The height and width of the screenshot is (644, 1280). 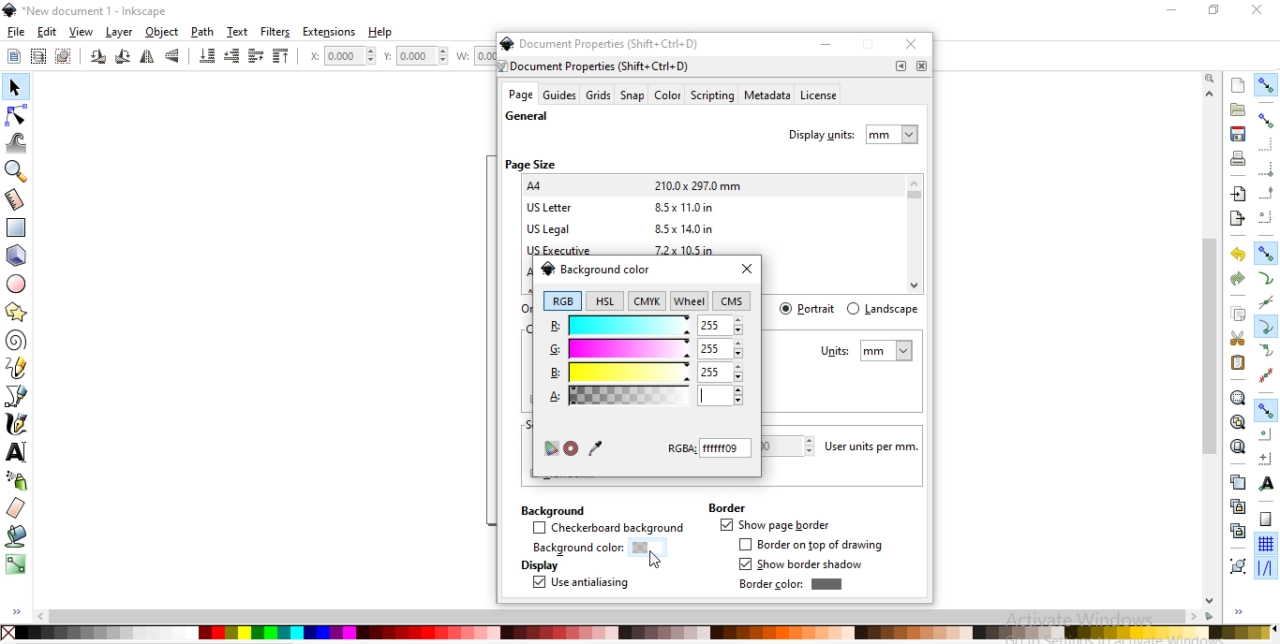 What do you see at coordinates (580, 584) in the screenshot?
I see `use antiliasing` at bounding box center [580, 584].